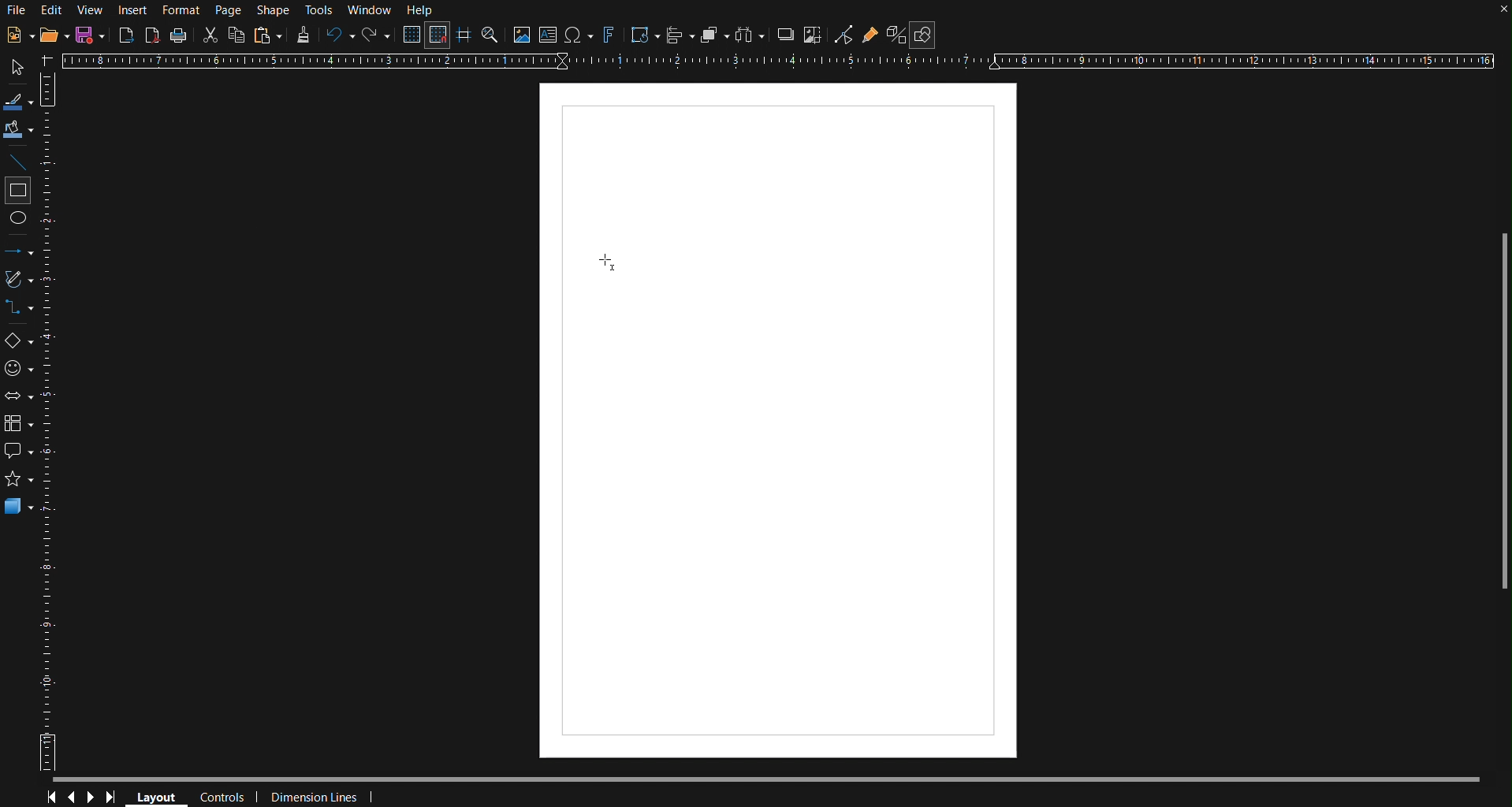 This screenshot has height=807, width=1512. Describe the element at coordinates (897, 34) in the screenshot. I see `Toggle Extrusion` at that location.